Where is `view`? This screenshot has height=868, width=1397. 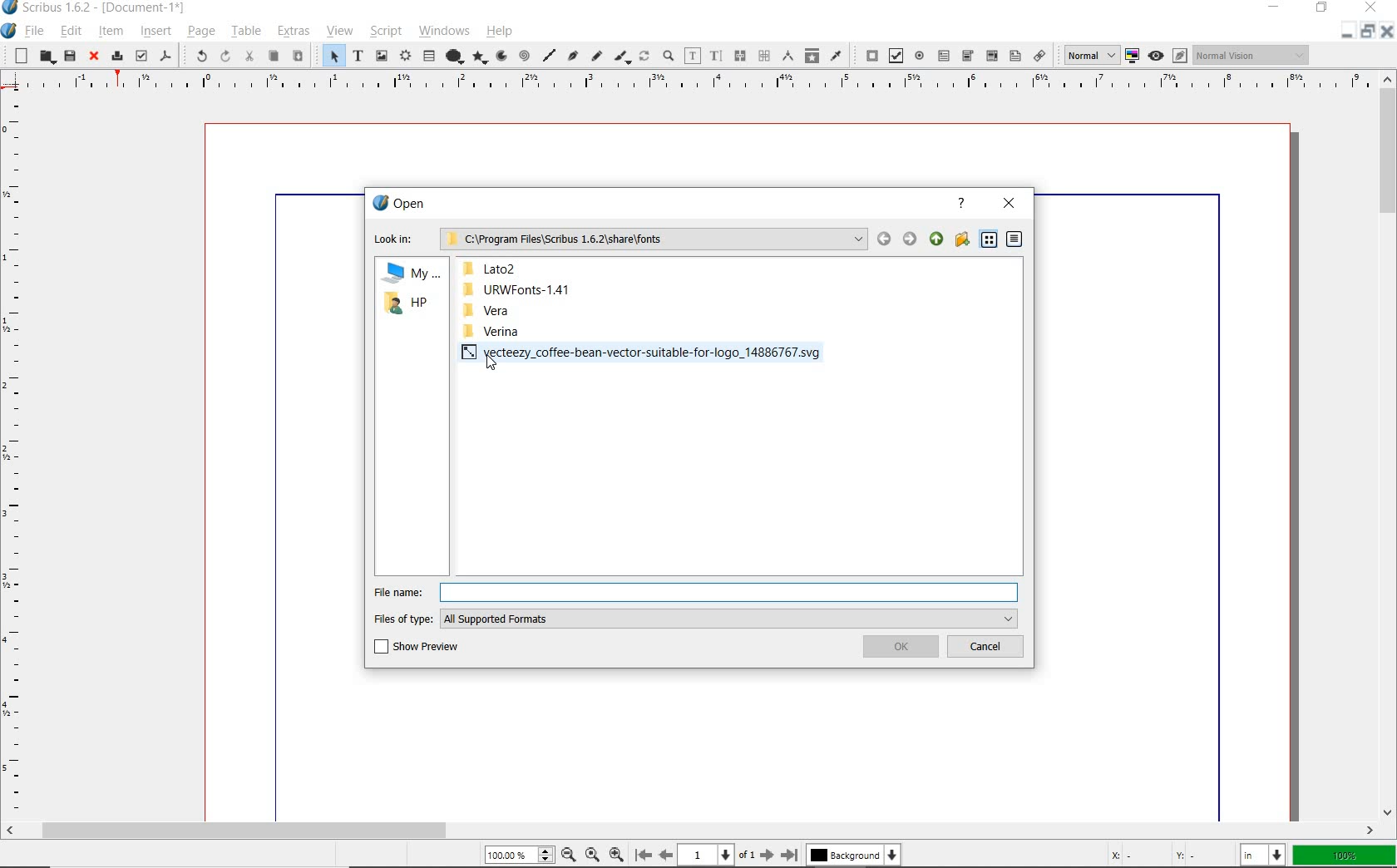 view is located at coordinates (338, 32).